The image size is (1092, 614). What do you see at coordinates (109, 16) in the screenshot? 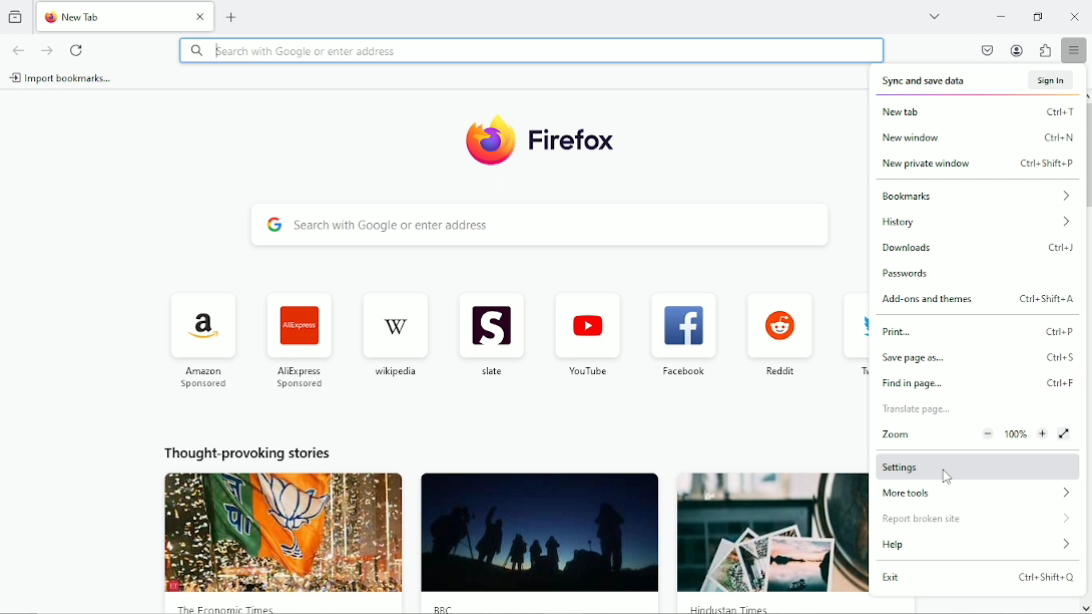
I see `New Tab` at bounding box center [109, 16].